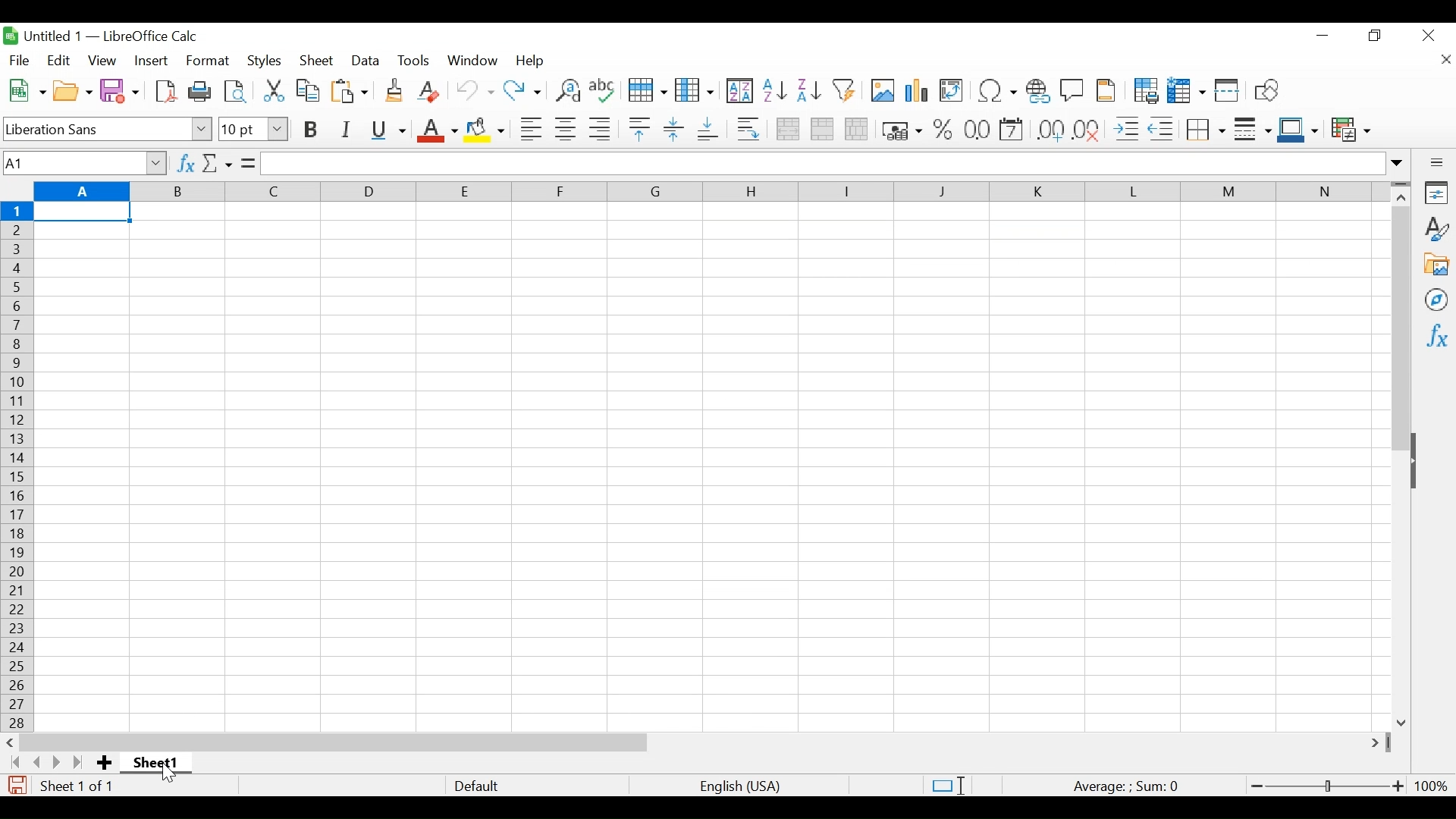  Describe the element at coordinates (1227, 91) in the screenshot. I see `Split Window` at that location.